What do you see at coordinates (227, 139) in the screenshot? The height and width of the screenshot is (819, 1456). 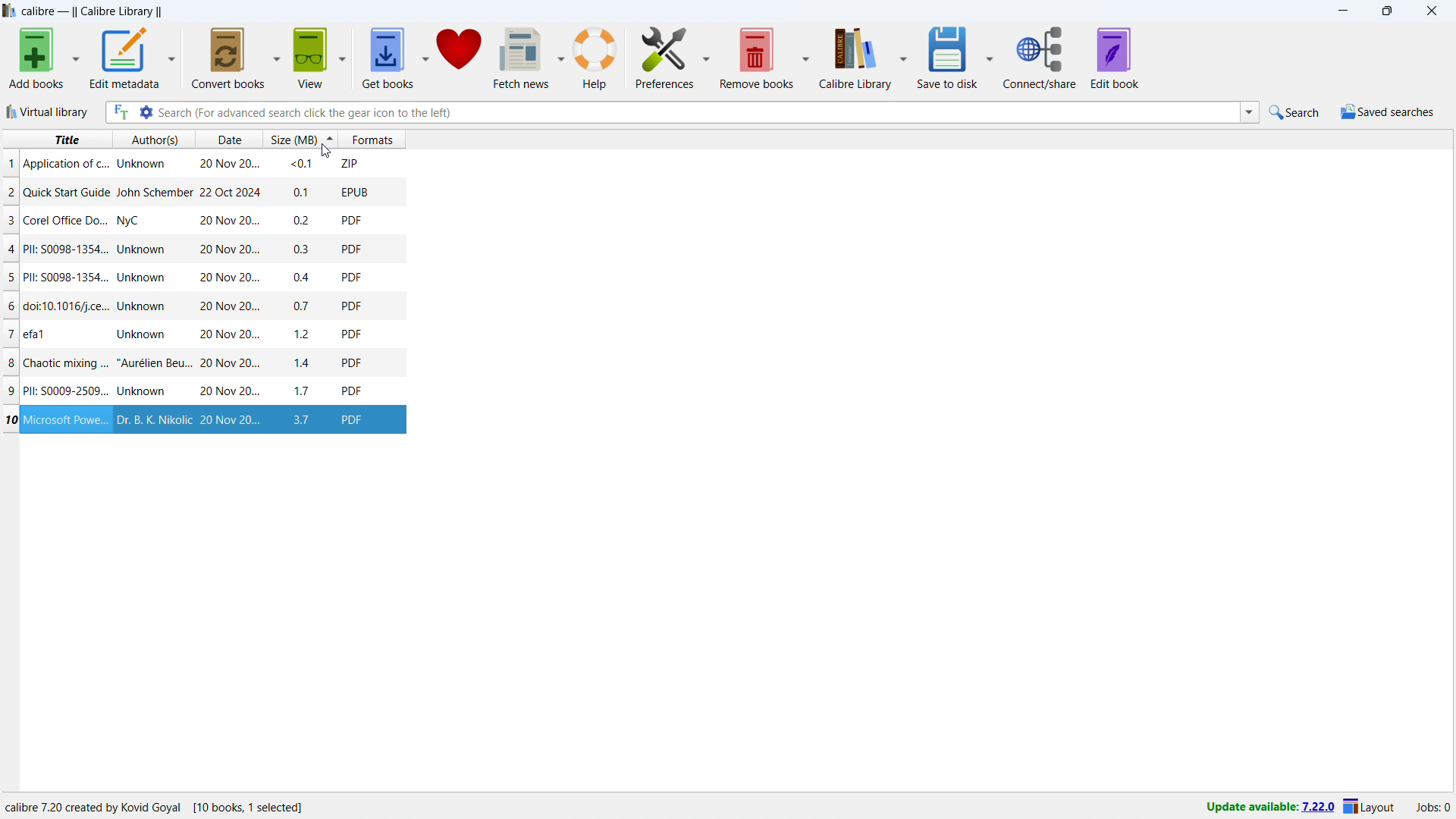 I see `date` at bounding box center [227, 139].